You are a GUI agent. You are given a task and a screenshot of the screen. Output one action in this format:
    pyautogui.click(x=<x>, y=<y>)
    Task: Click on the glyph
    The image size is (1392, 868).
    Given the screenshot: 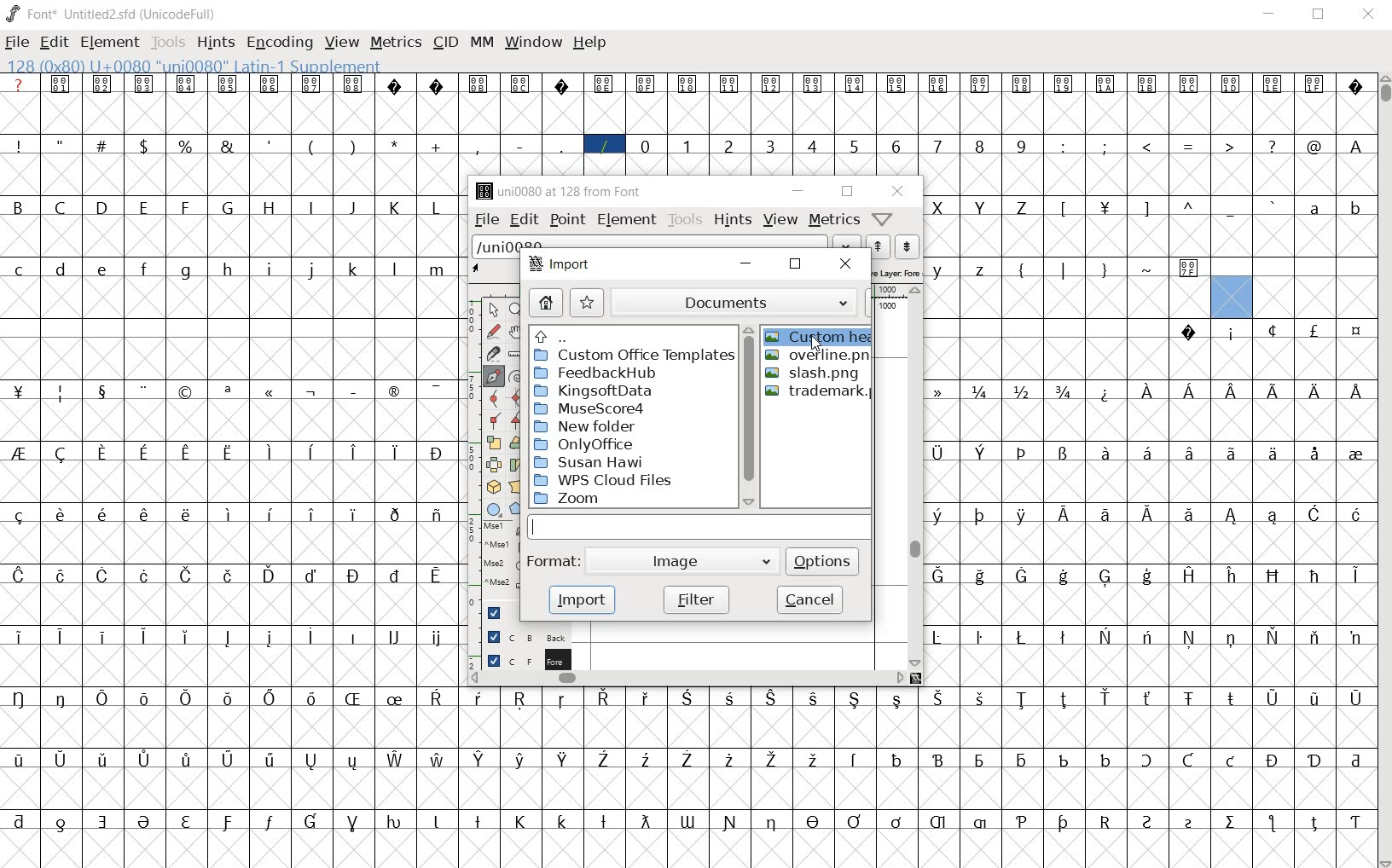 What is the action you would take?
    pyautogui.click(x=1106, y=578)
    